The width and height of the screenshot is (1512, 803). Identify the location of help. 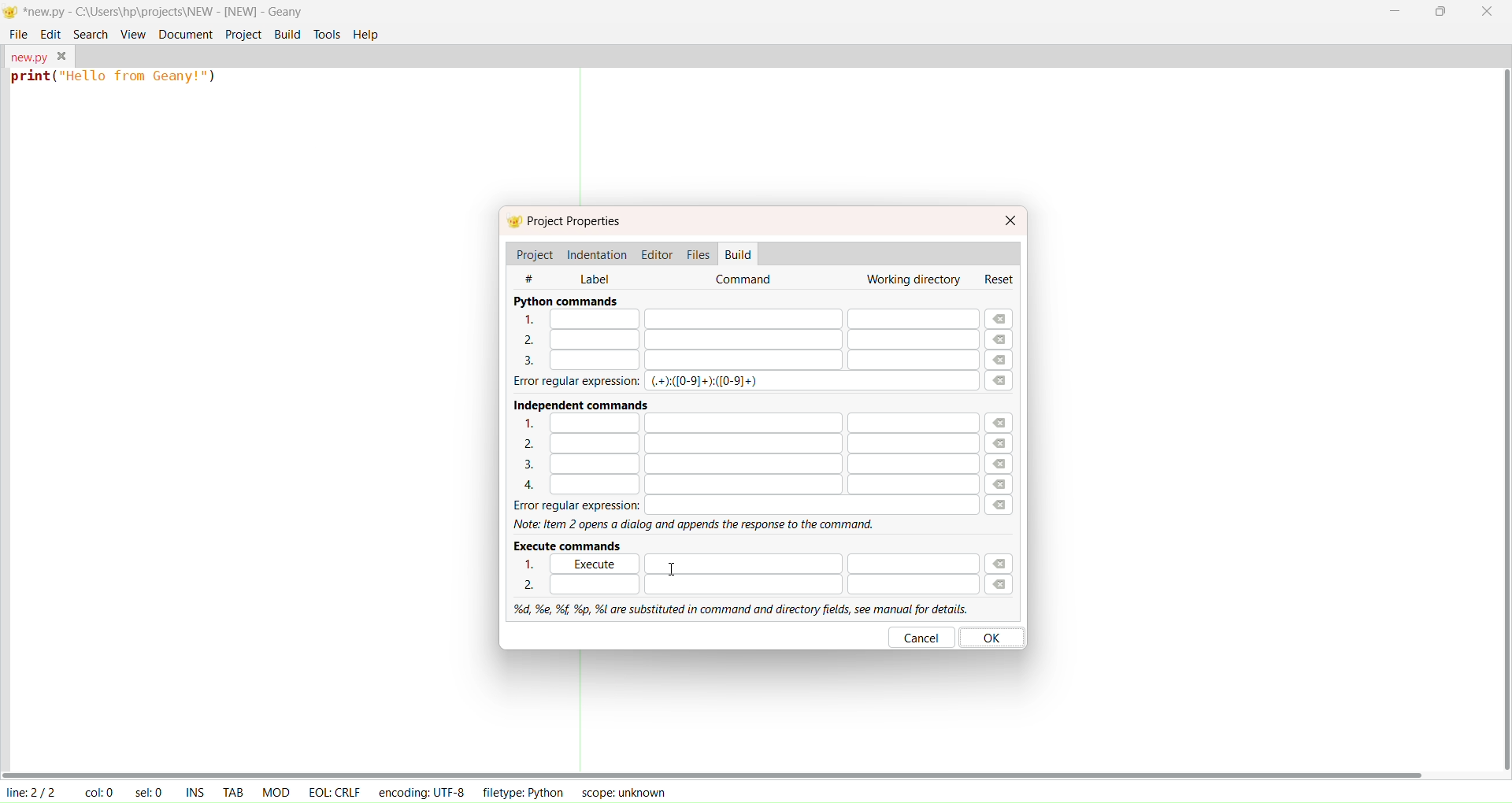
(367, 35).